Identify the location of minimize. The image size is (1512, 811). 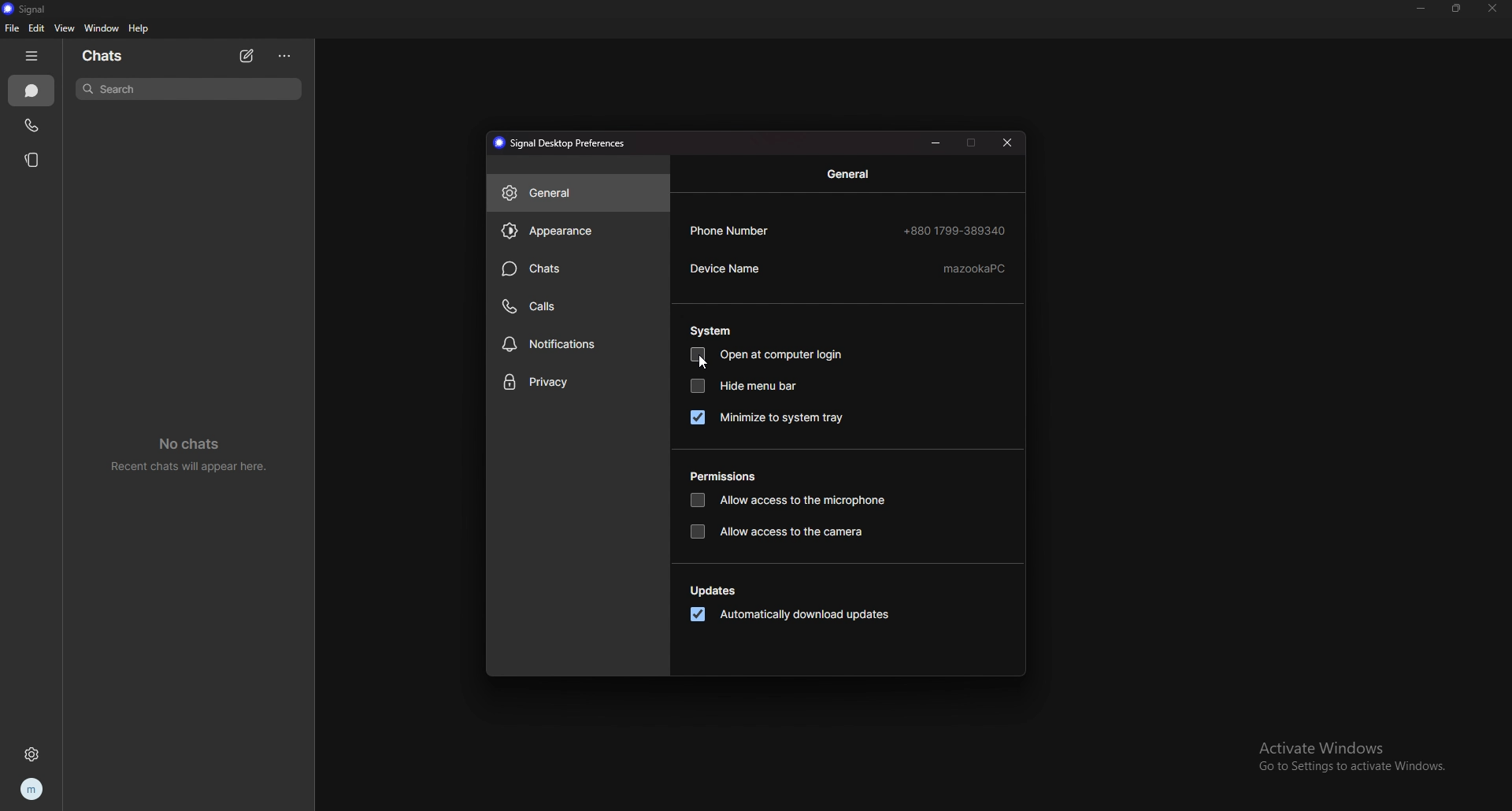
(1421, 9).